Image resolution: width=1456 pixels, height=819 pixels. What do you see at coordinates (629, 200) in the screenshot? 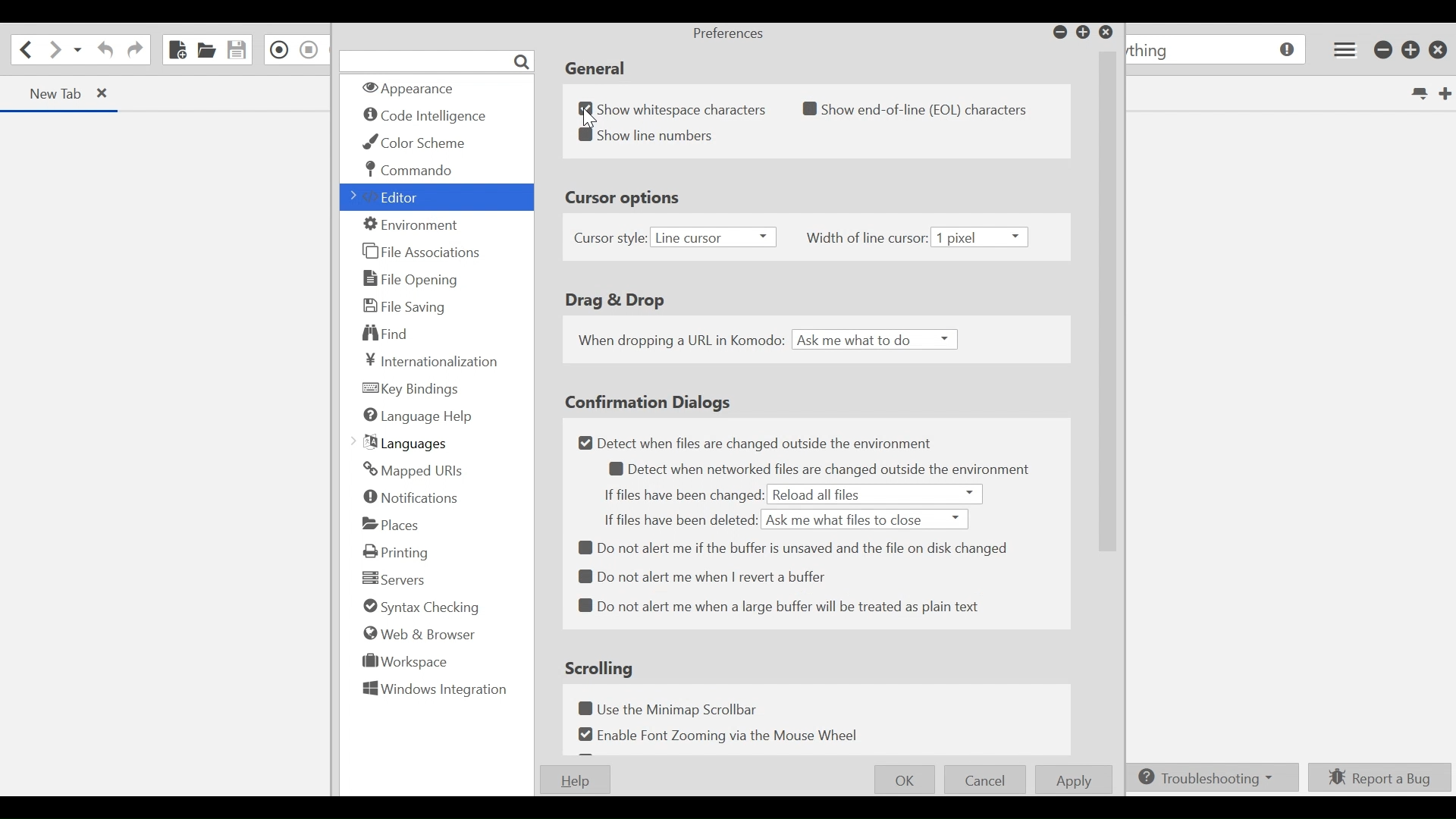
I see `Cursor Options` at bounding box center [629, 200].